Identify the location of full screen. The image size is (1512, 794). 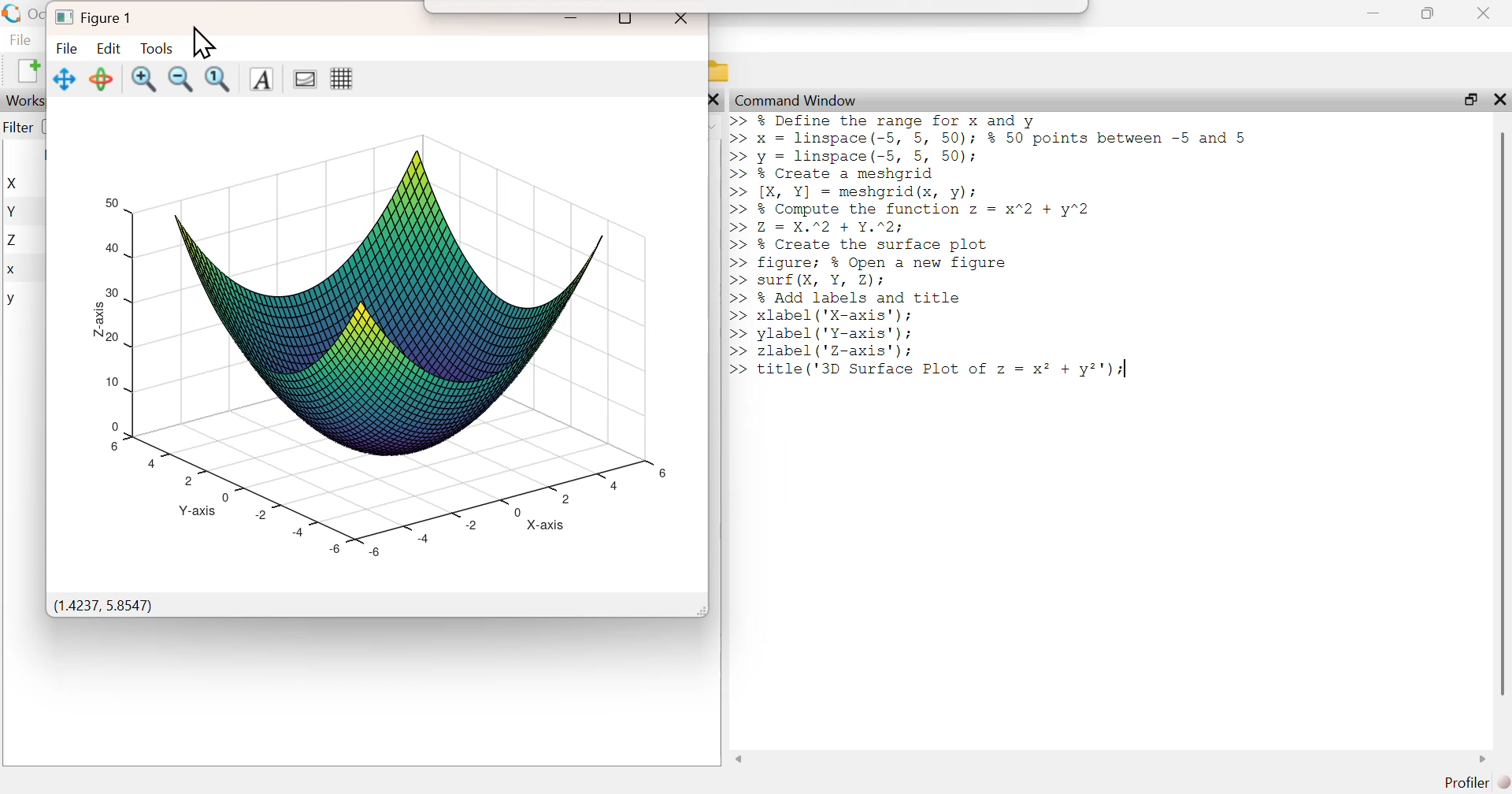
(626, 18).